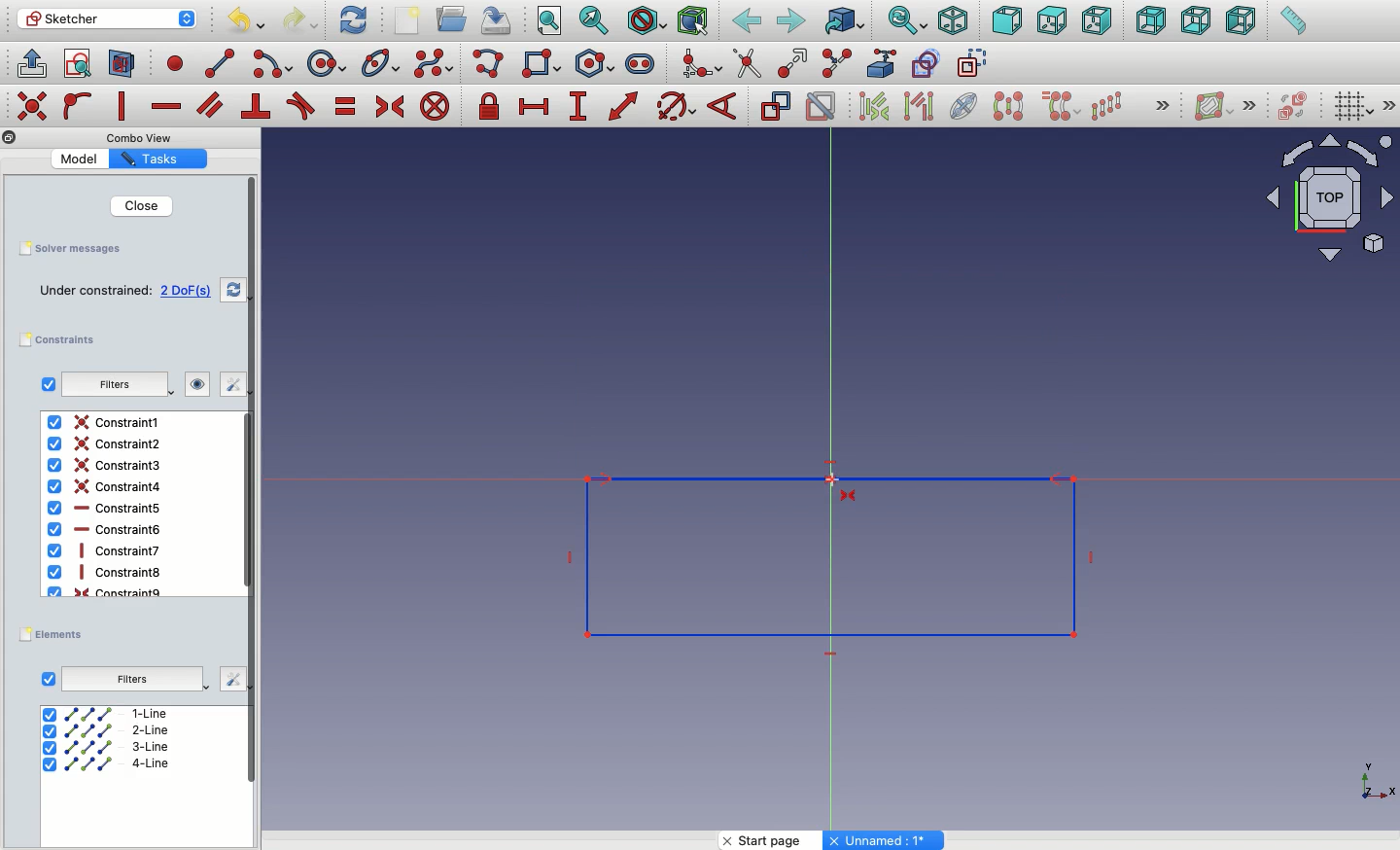 The width and height of the screenshot is (1400, 850). I want to click on Redo, so click(303, 20).